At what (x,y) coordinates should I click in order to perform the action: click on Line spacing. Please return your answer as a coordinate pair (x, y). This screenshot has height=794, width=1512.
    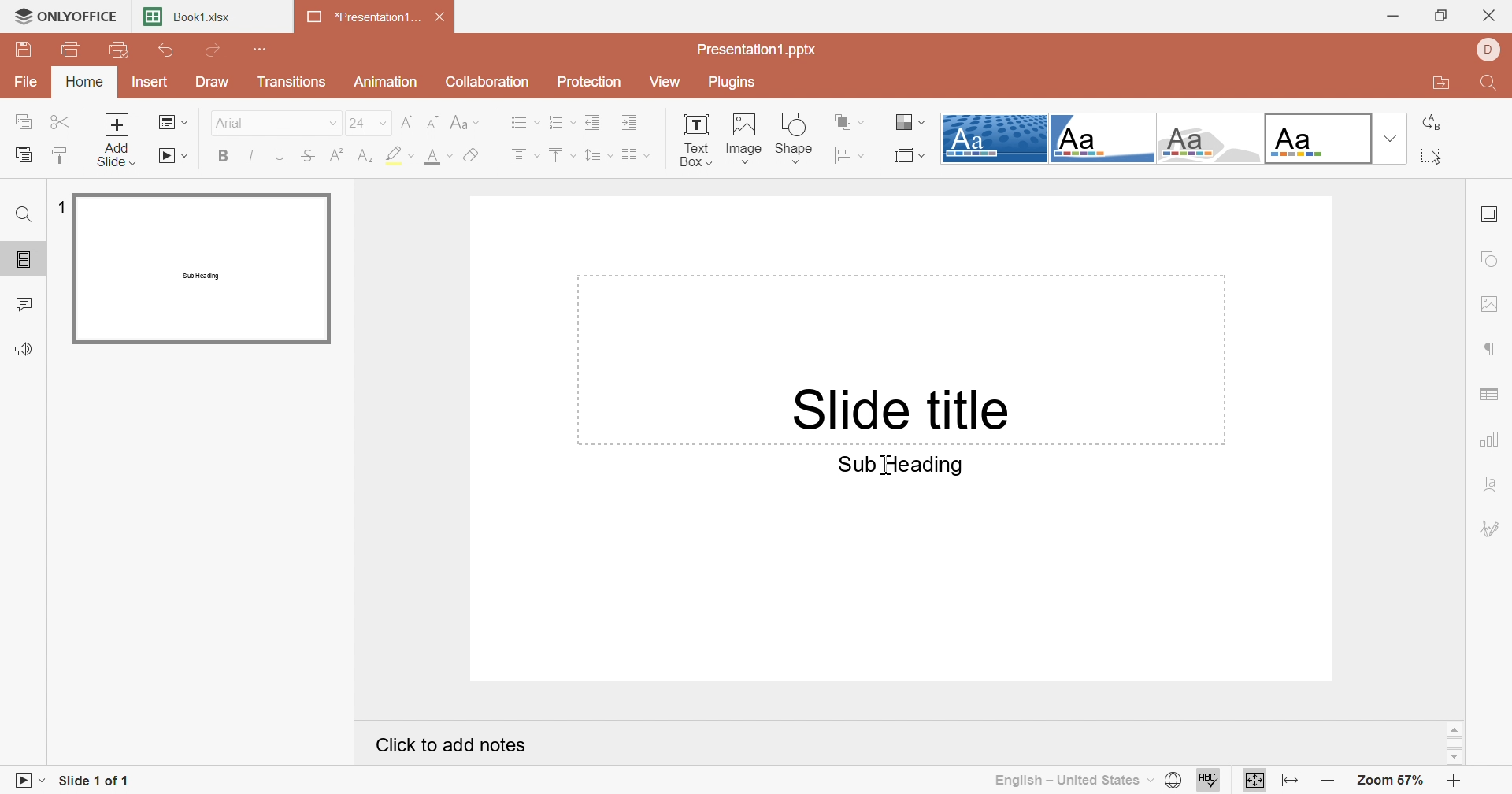
    Looking at the image, I should click on (599, 153).